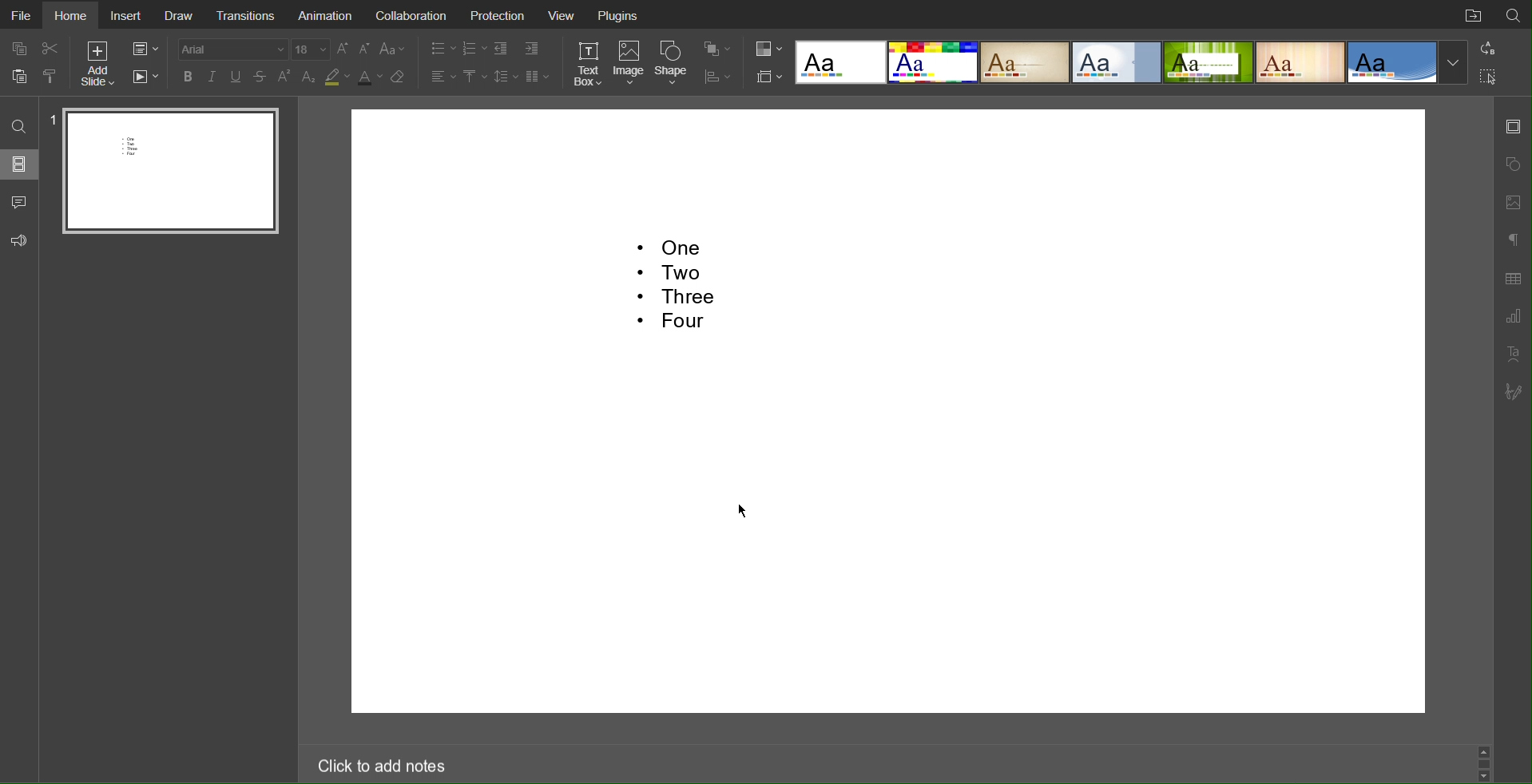 This screenshot has width=1532, height=784. What do you see at coordinates (1130, 60) in the screenshot?
I see `Templates` at bounding box center [1130, 60].